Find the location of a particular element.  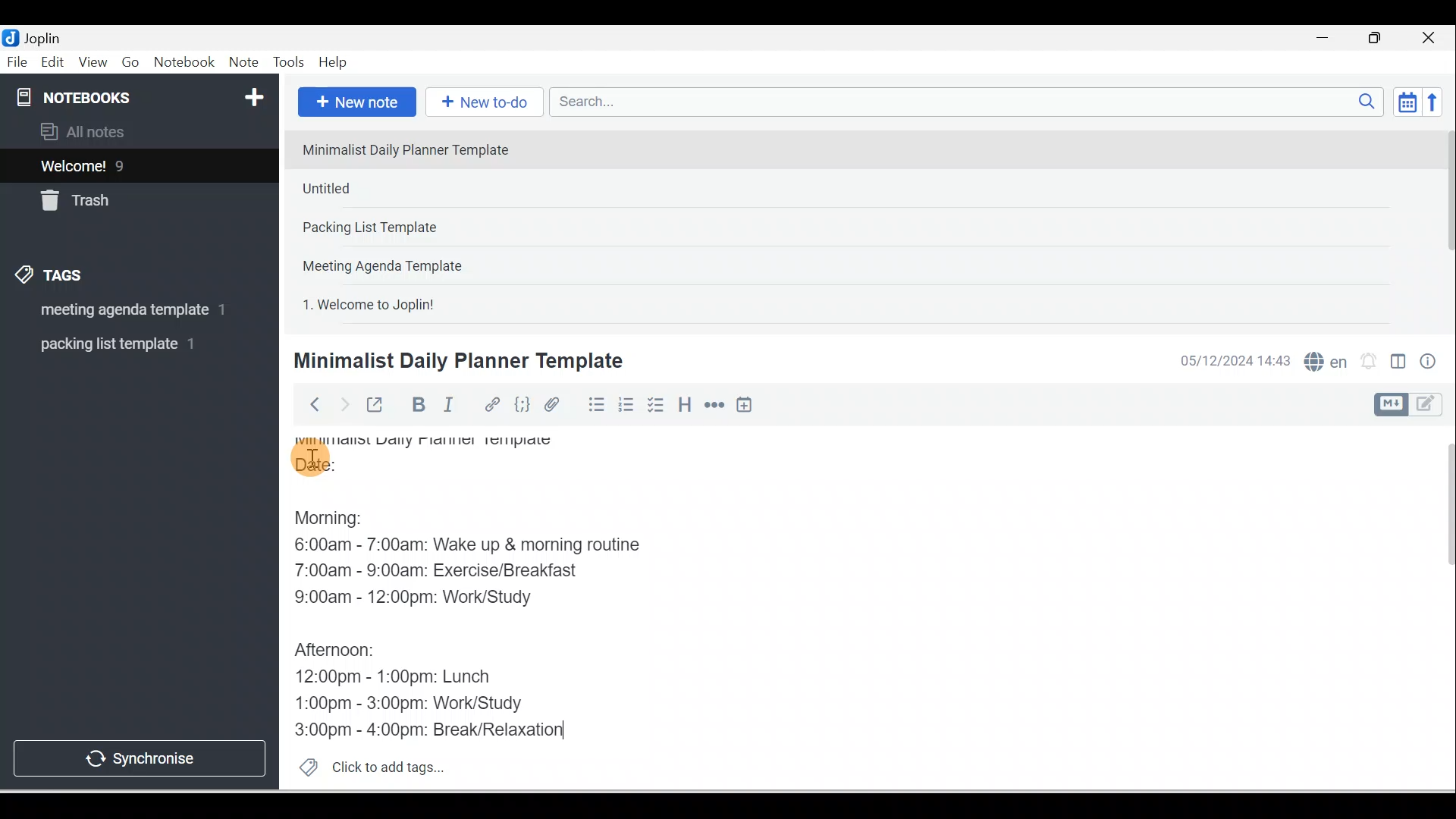

Note 1 is located at coordinates (416, 149).